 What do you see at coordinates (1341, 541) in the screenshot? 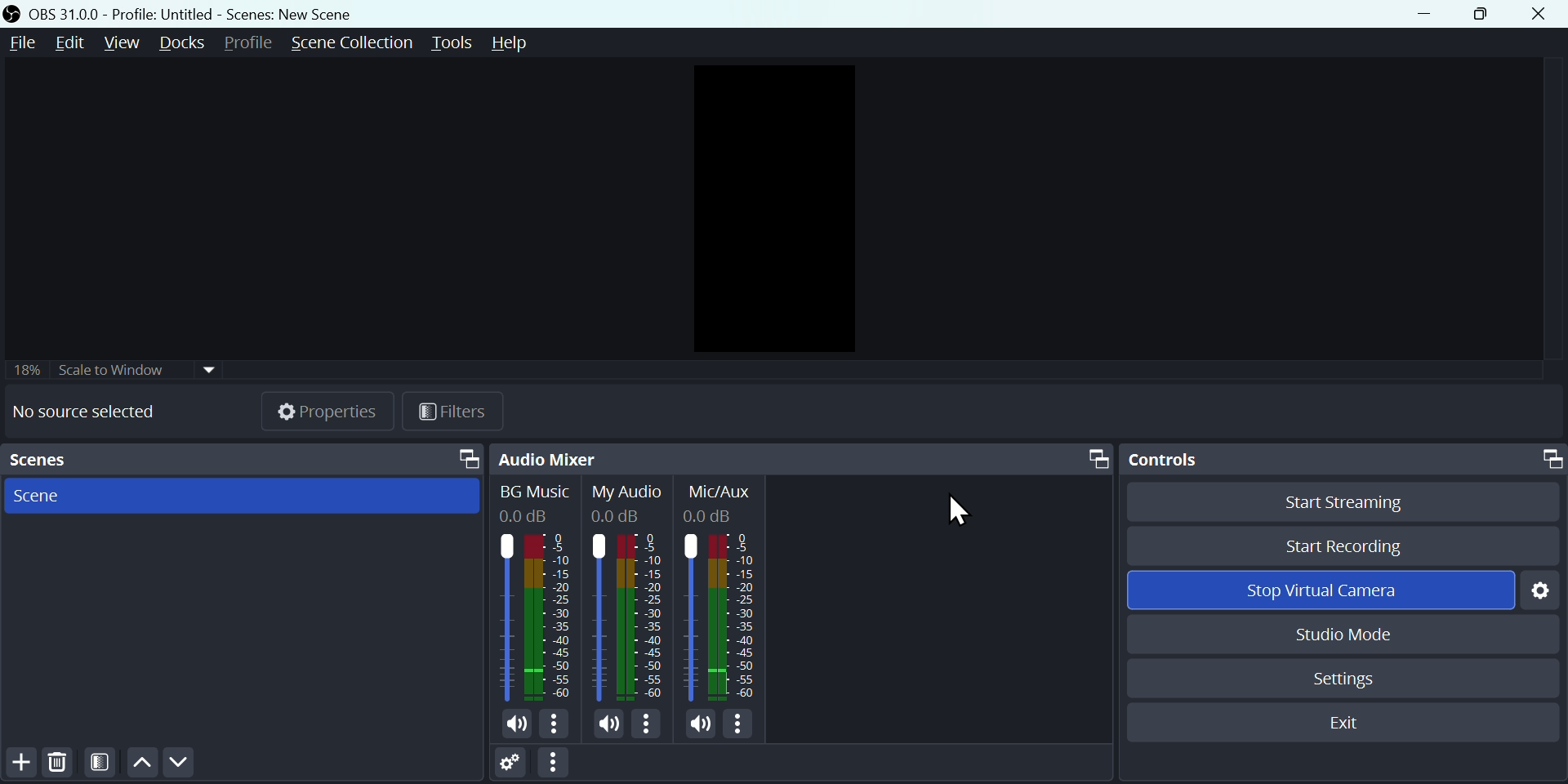
I see `Start recording` at bounding box center [1341, 541].